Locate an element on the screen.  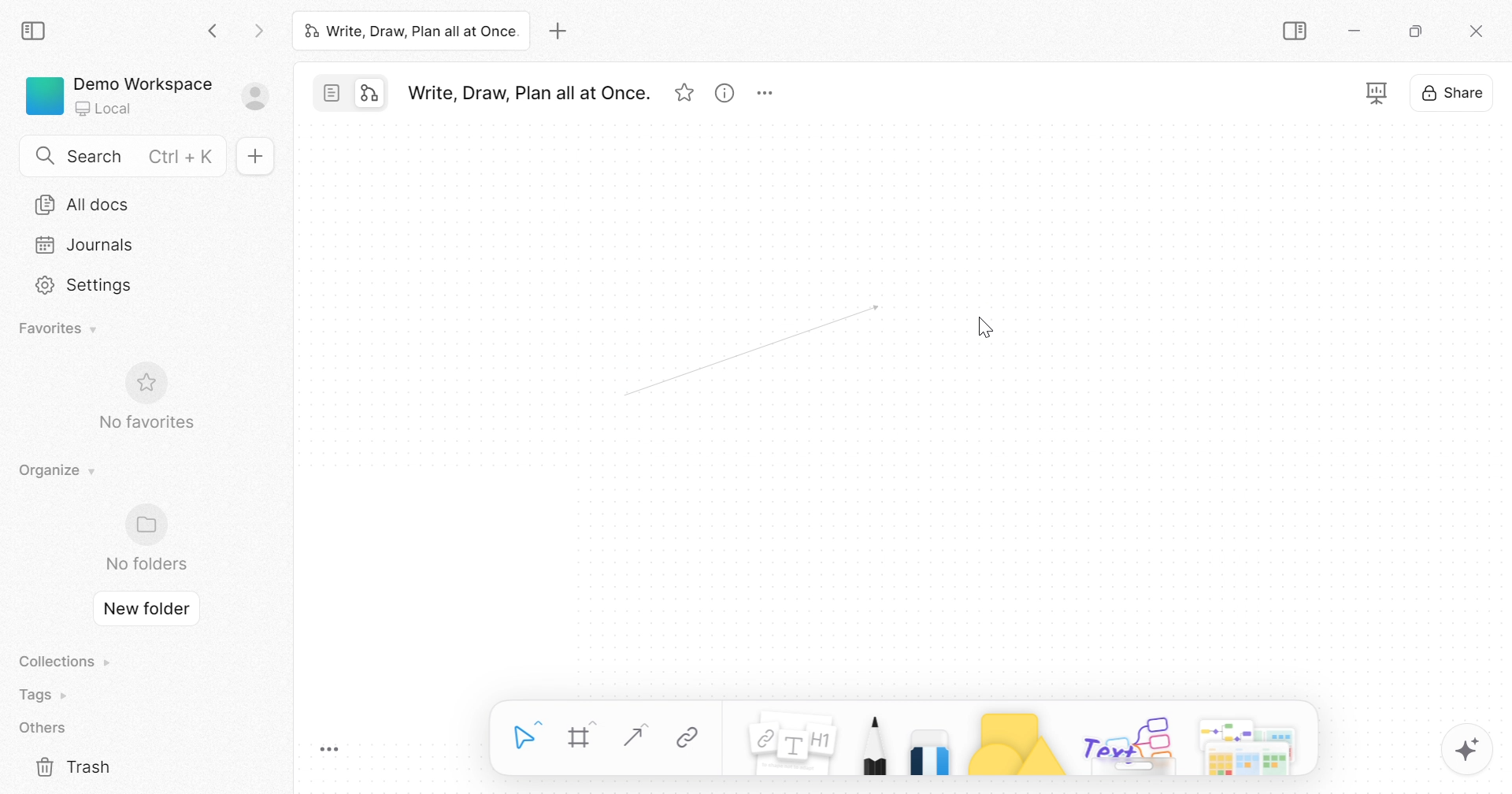
Back is located at coordinates (213, 33).